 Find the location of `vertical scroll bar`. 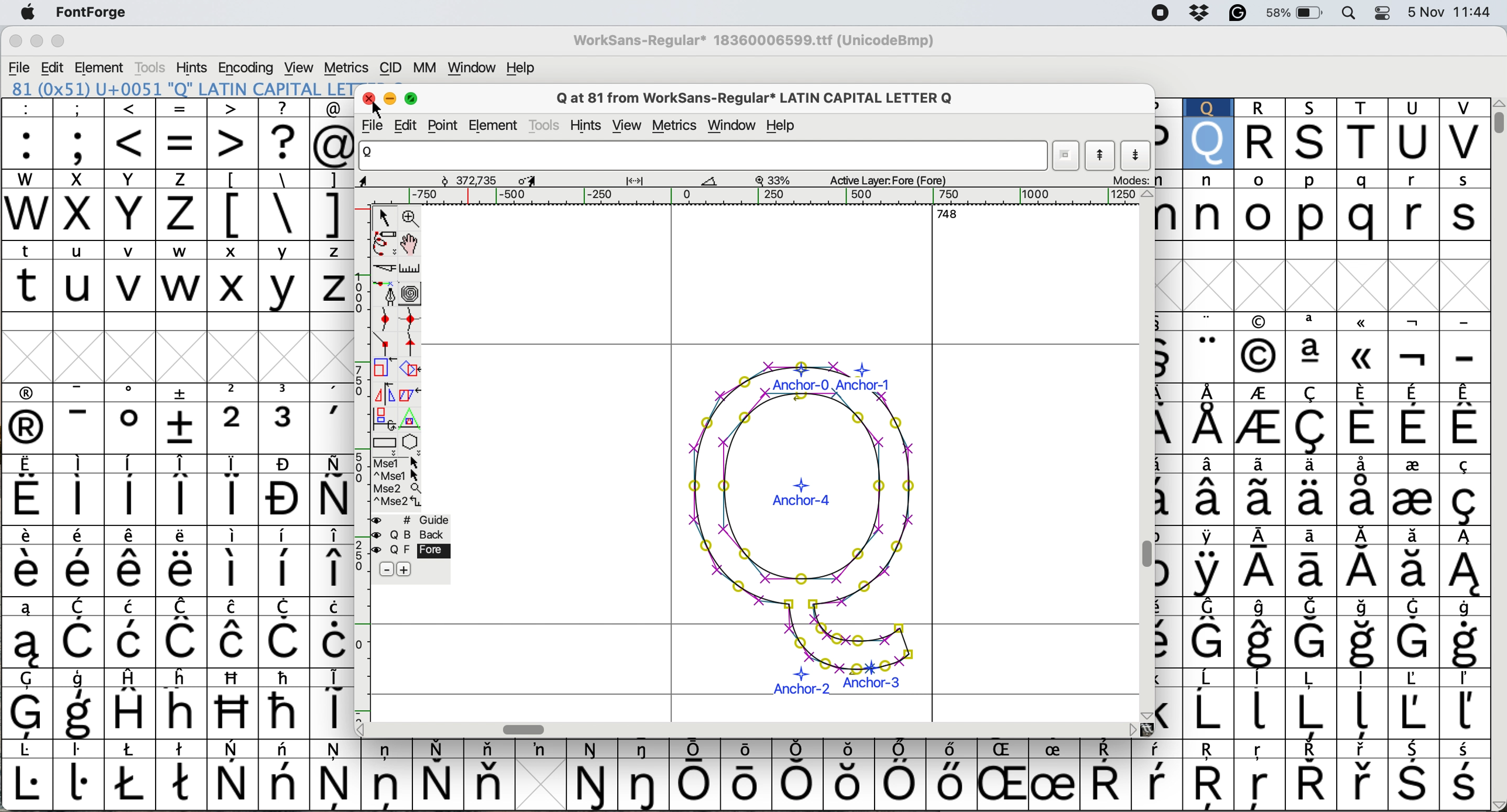

vertical scroll bar is located at coordinates (1145, 555).